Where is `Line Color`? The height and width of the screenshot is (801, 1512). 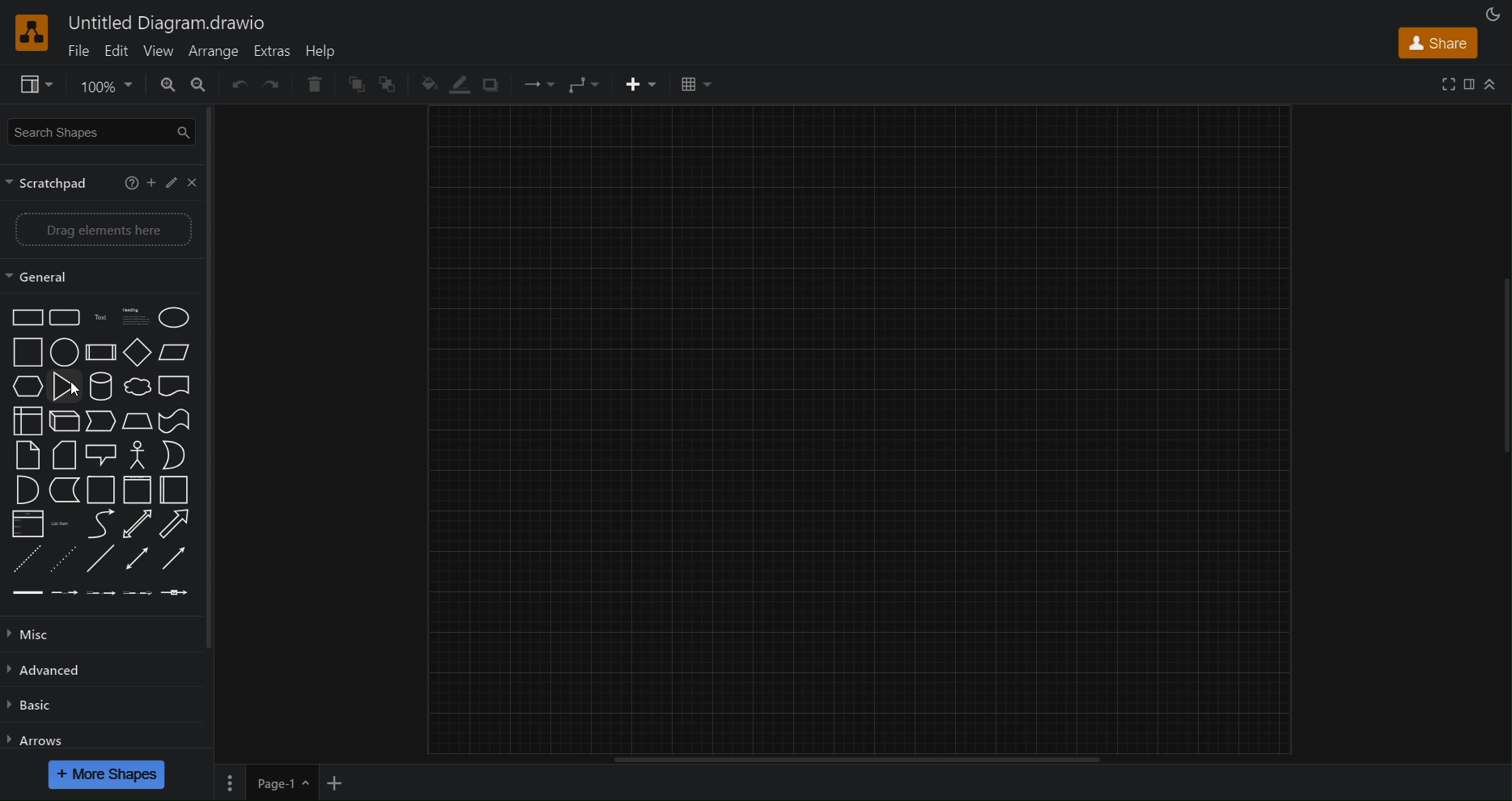 Line Color is located at coordinates (458, 85).